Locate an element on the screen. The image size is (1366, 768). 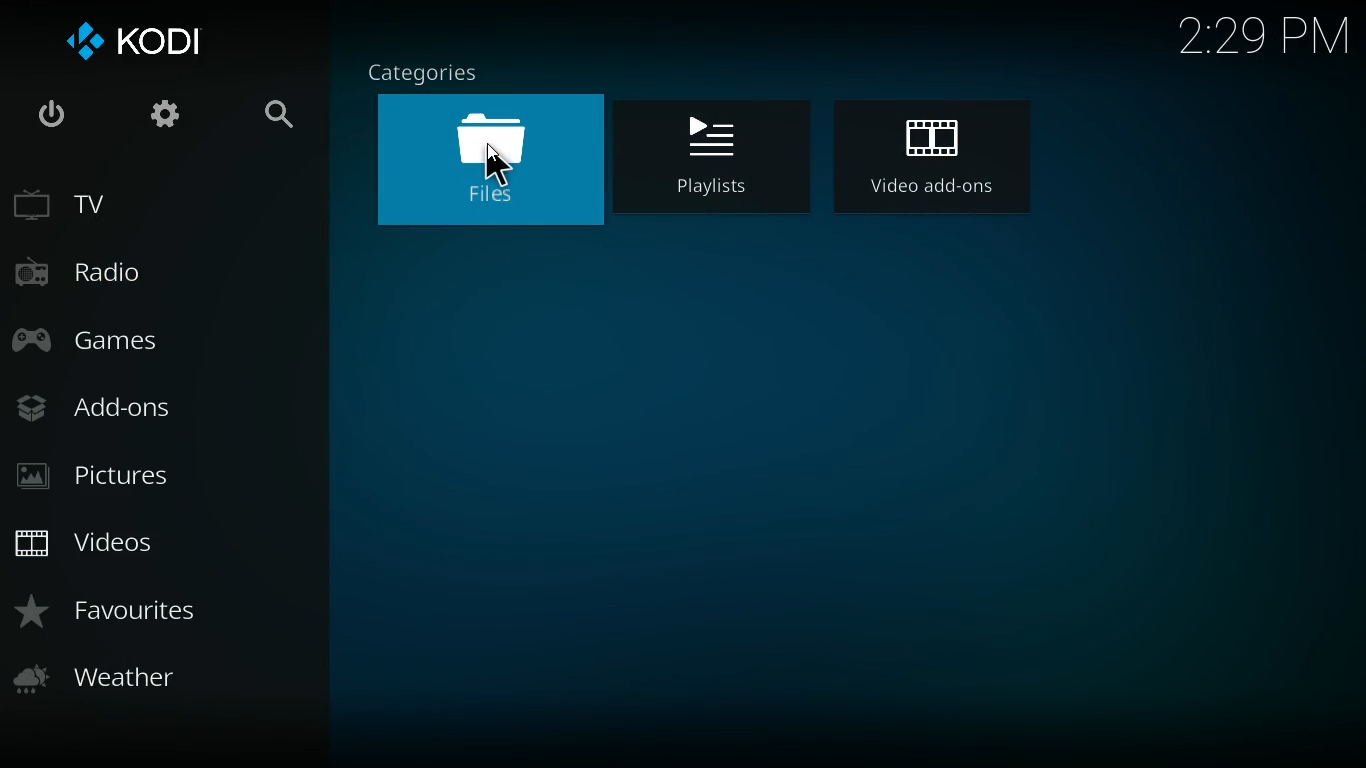
settings is located at coordinates (156, 119).